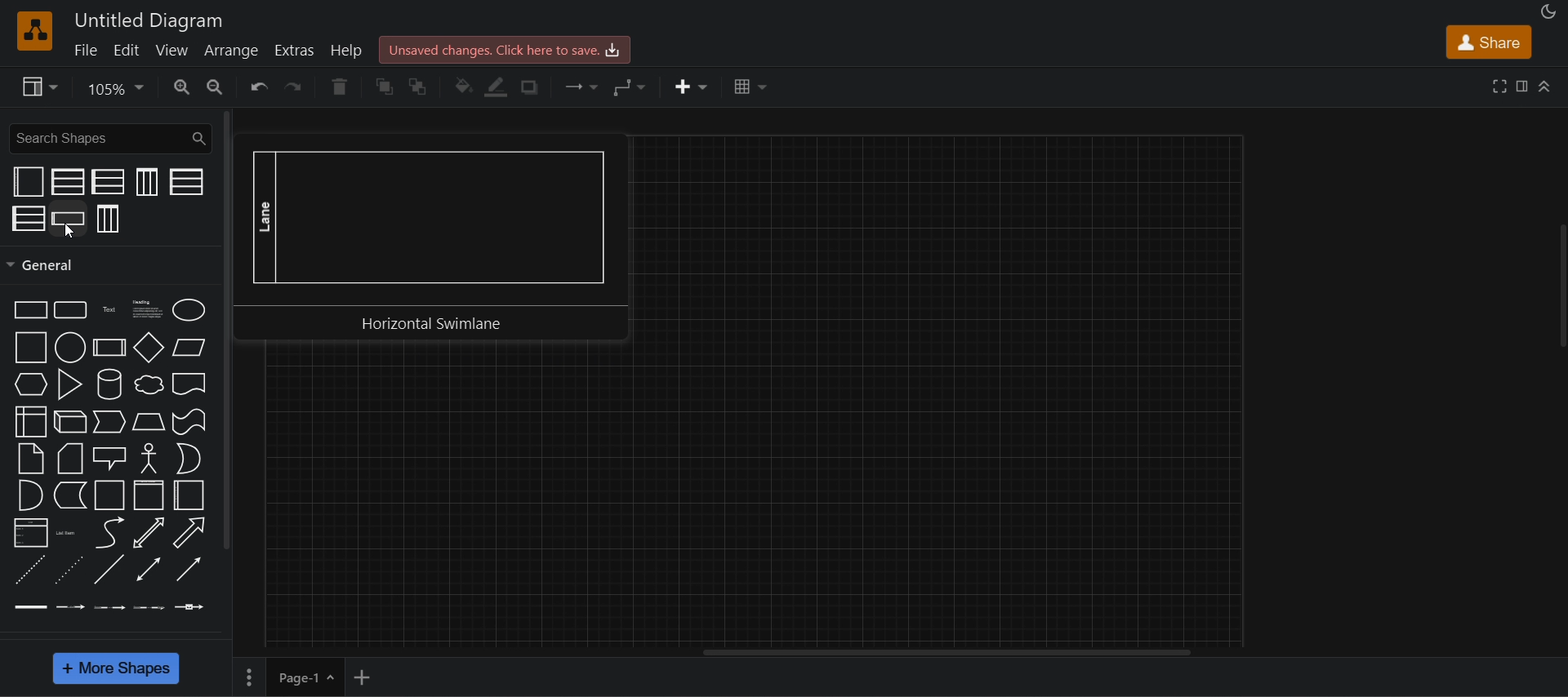  I want to click on cloud, so click(150, 384).